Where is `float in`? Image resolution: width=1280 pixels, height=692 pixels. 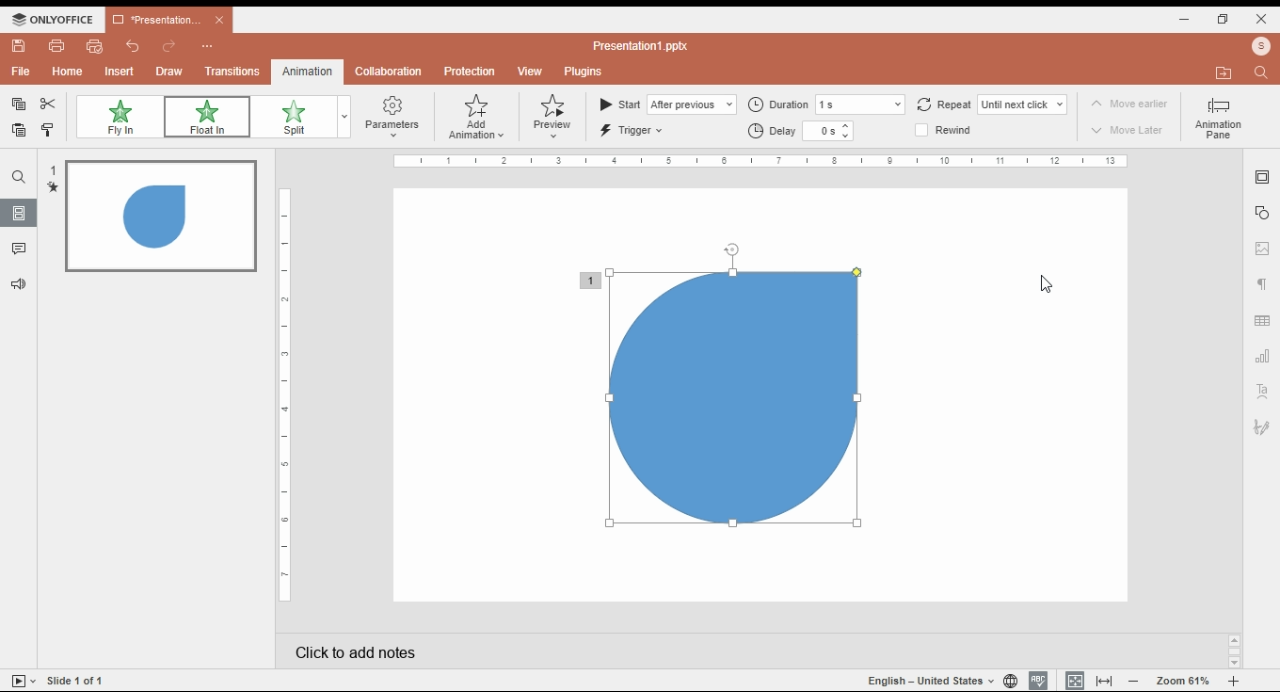
float in is located at coordinates (206, 118).